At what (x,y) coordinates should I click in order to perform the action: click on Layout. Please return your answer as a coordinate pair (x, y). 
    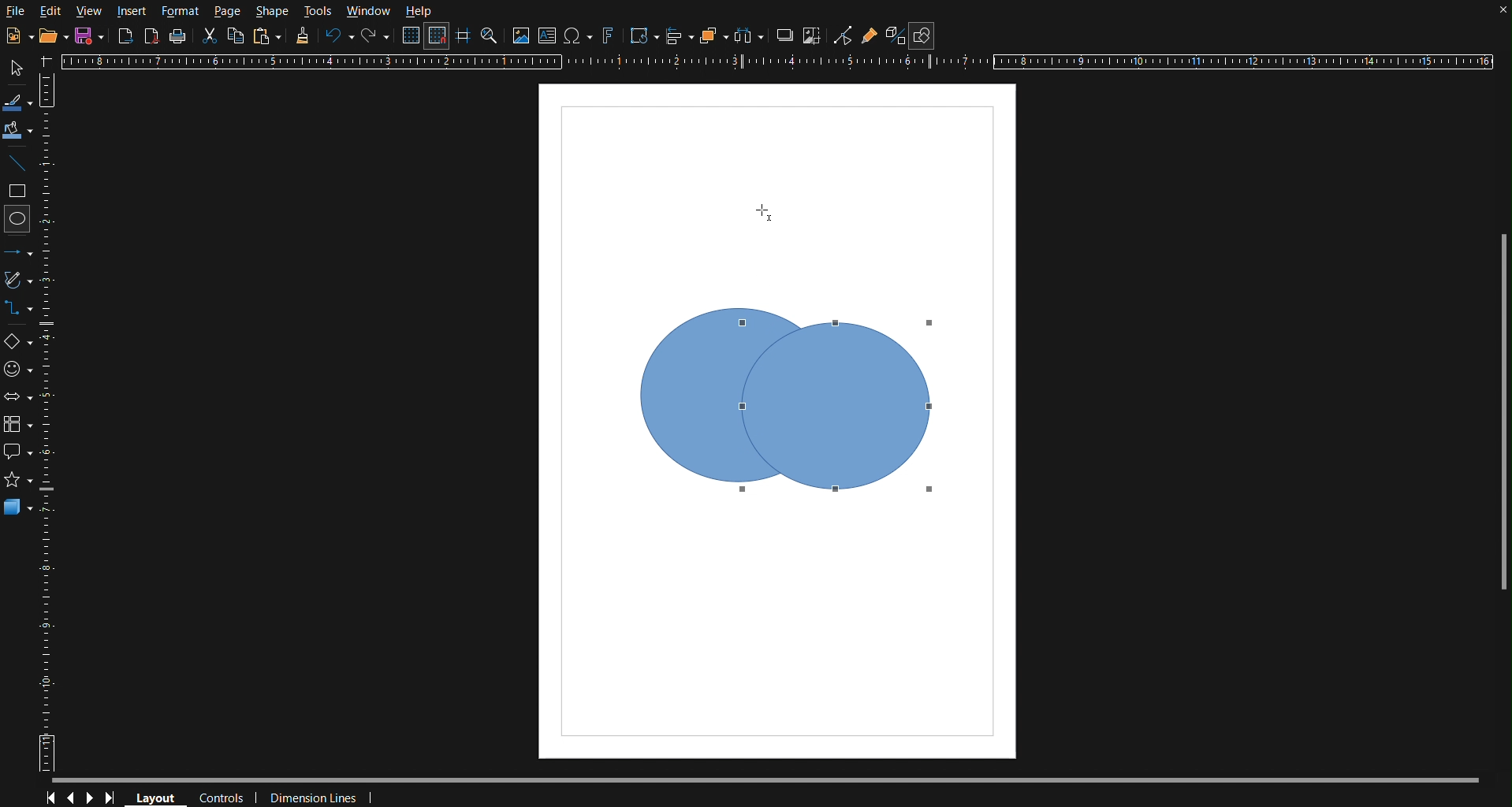
    Looking at the image, I should click on (161, 796).